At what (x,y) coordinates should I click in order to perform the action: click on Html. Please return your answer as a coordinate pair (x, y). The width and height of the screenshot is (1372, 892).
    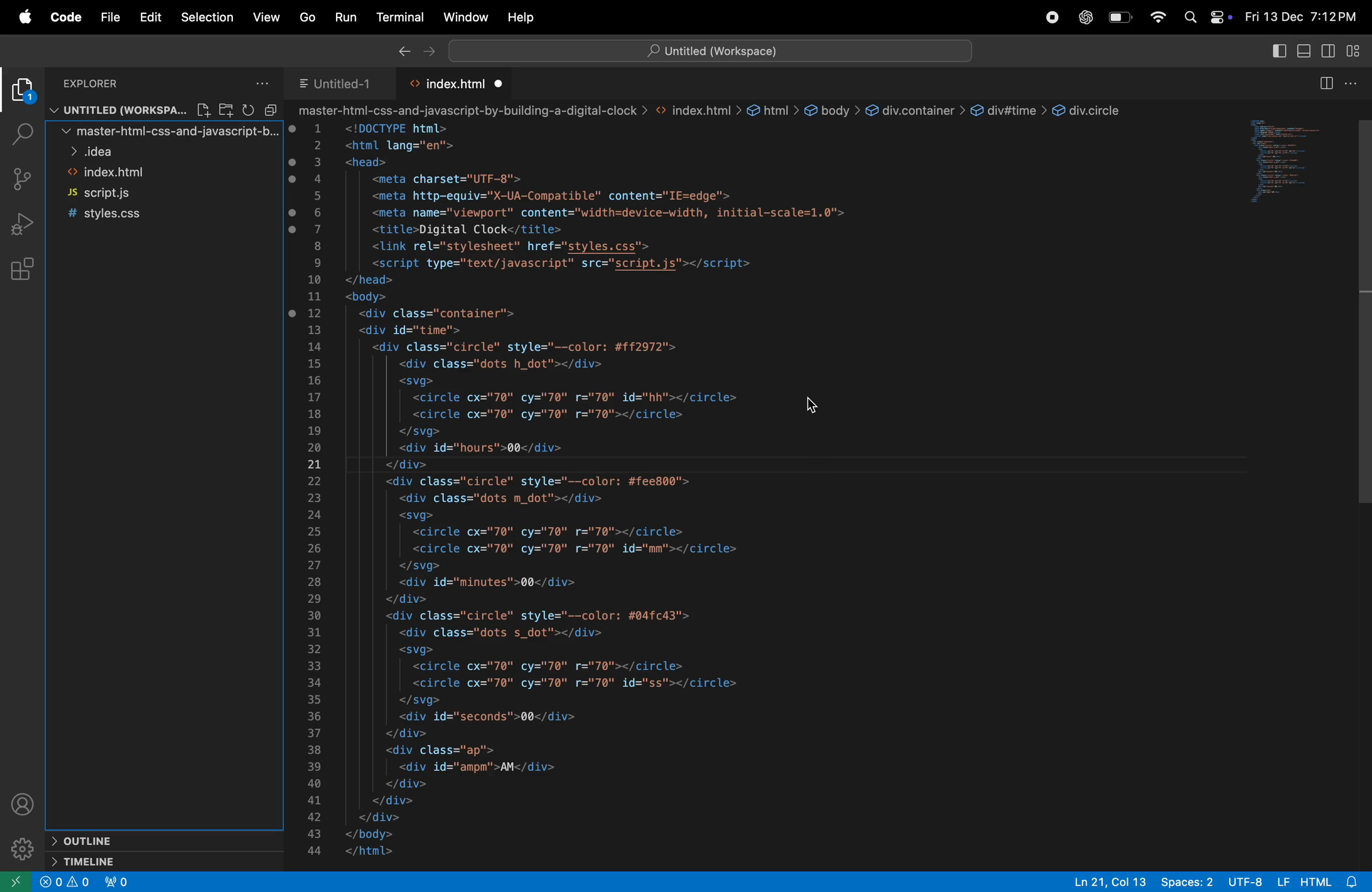
    Looking at the image, I should click on (1316, 880).